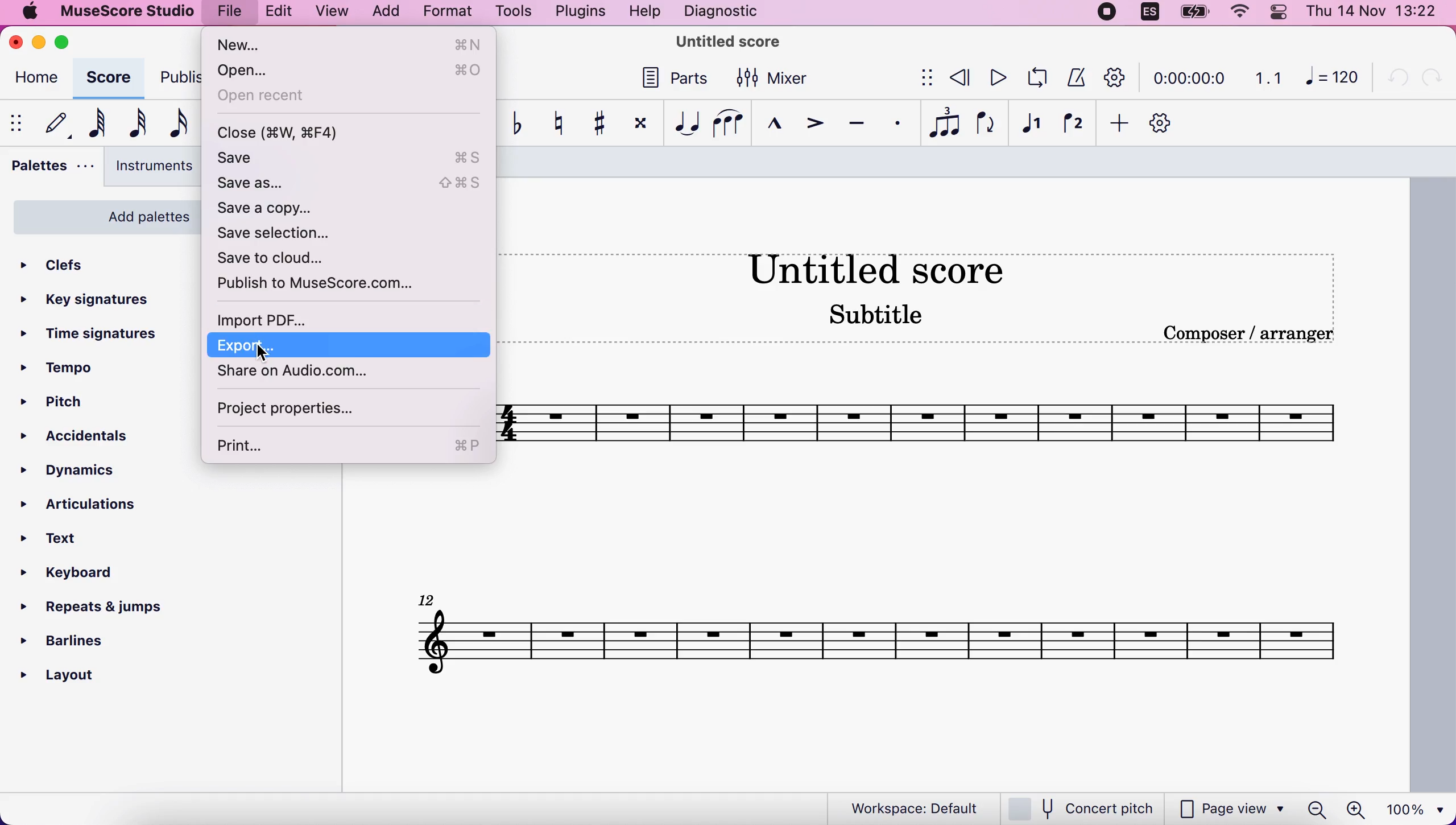 The width and height of the screenshot is (1456, 825). I want to click on view, so click(329, 14).